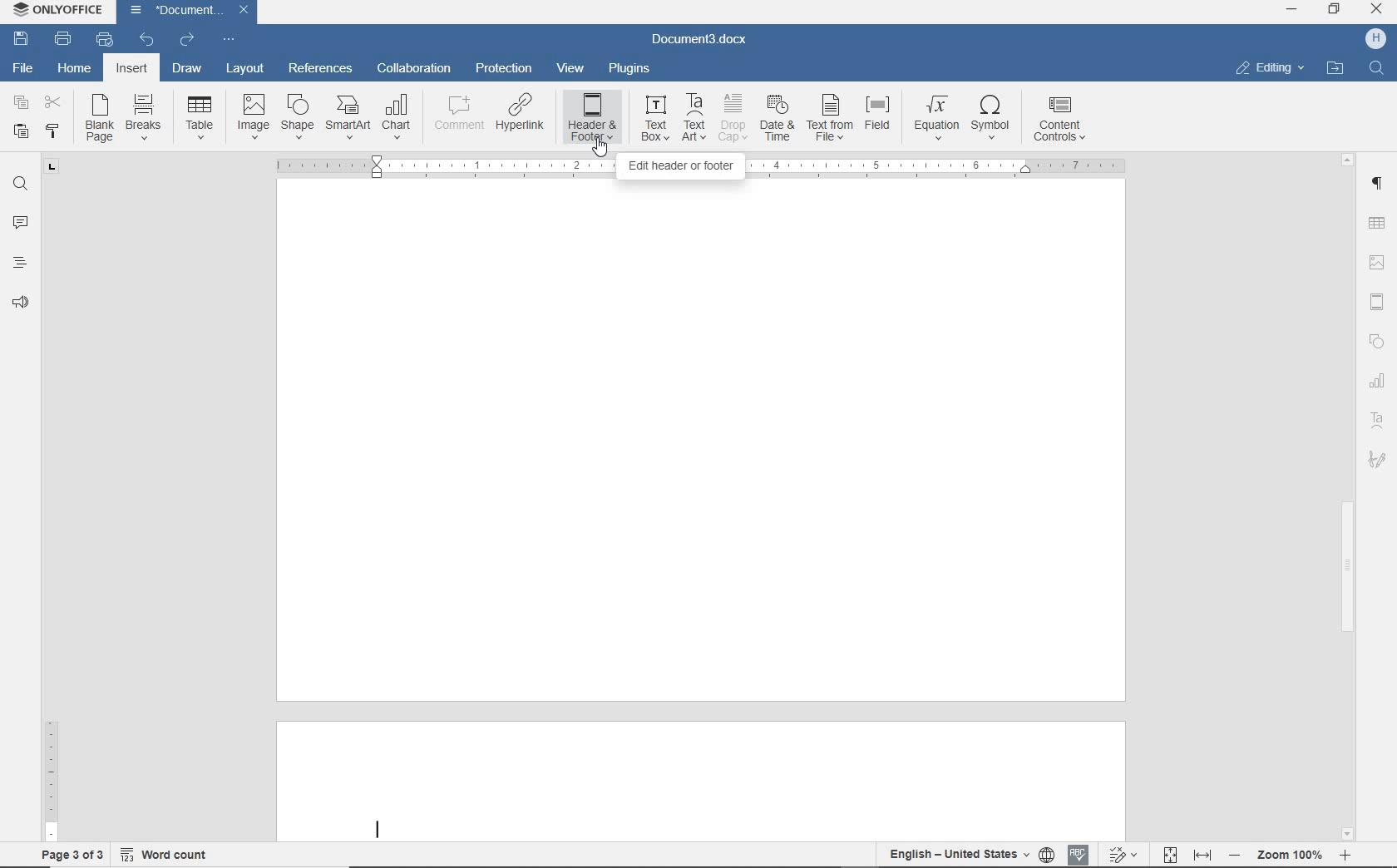  What do you see at coordinates (1059, 118) in the screenshot?
I see `CONTENT CONTROLS` at bounding box center [1059, 118].